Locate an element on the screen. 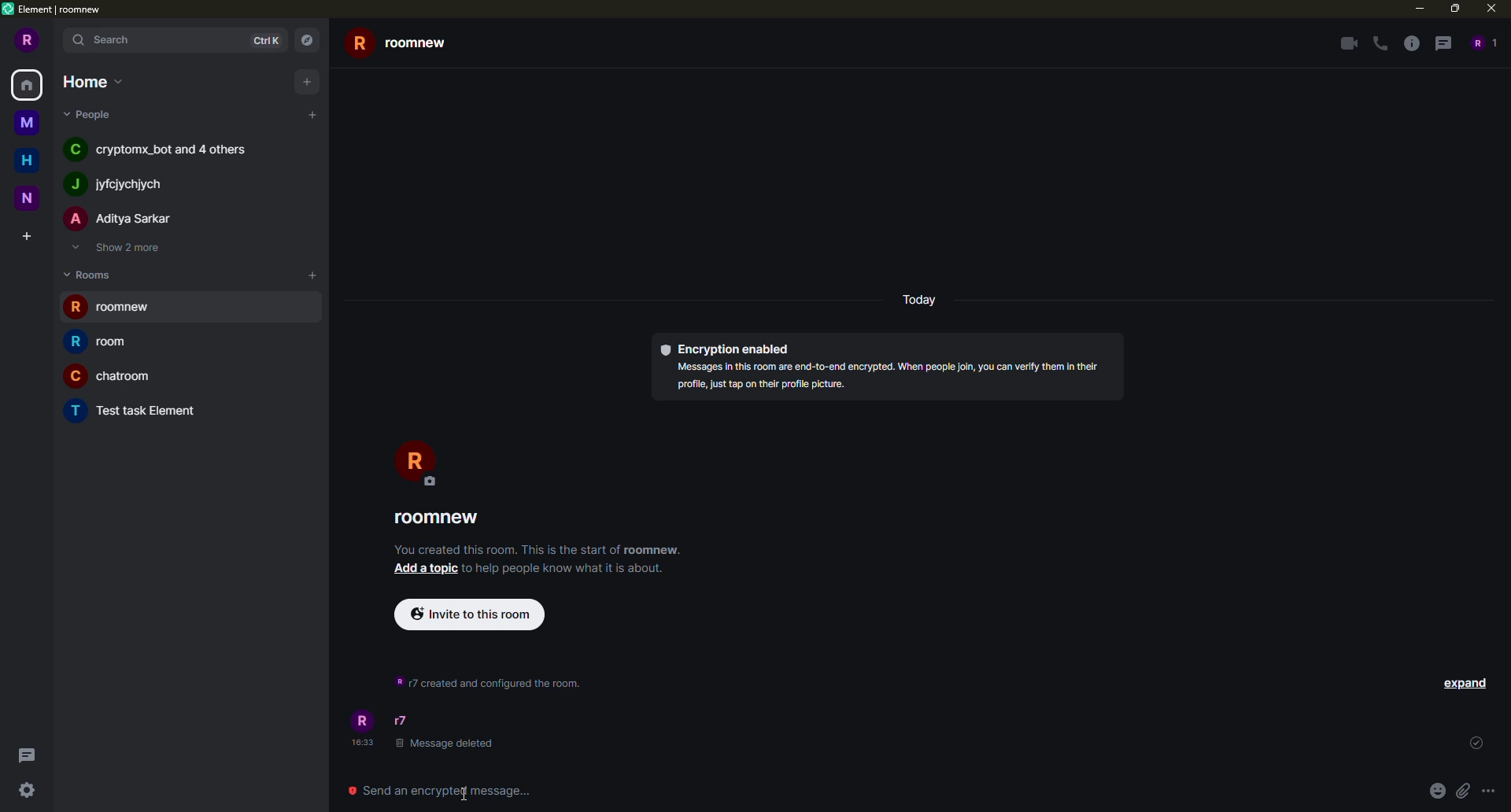  room is located at coordinates (110, 341).